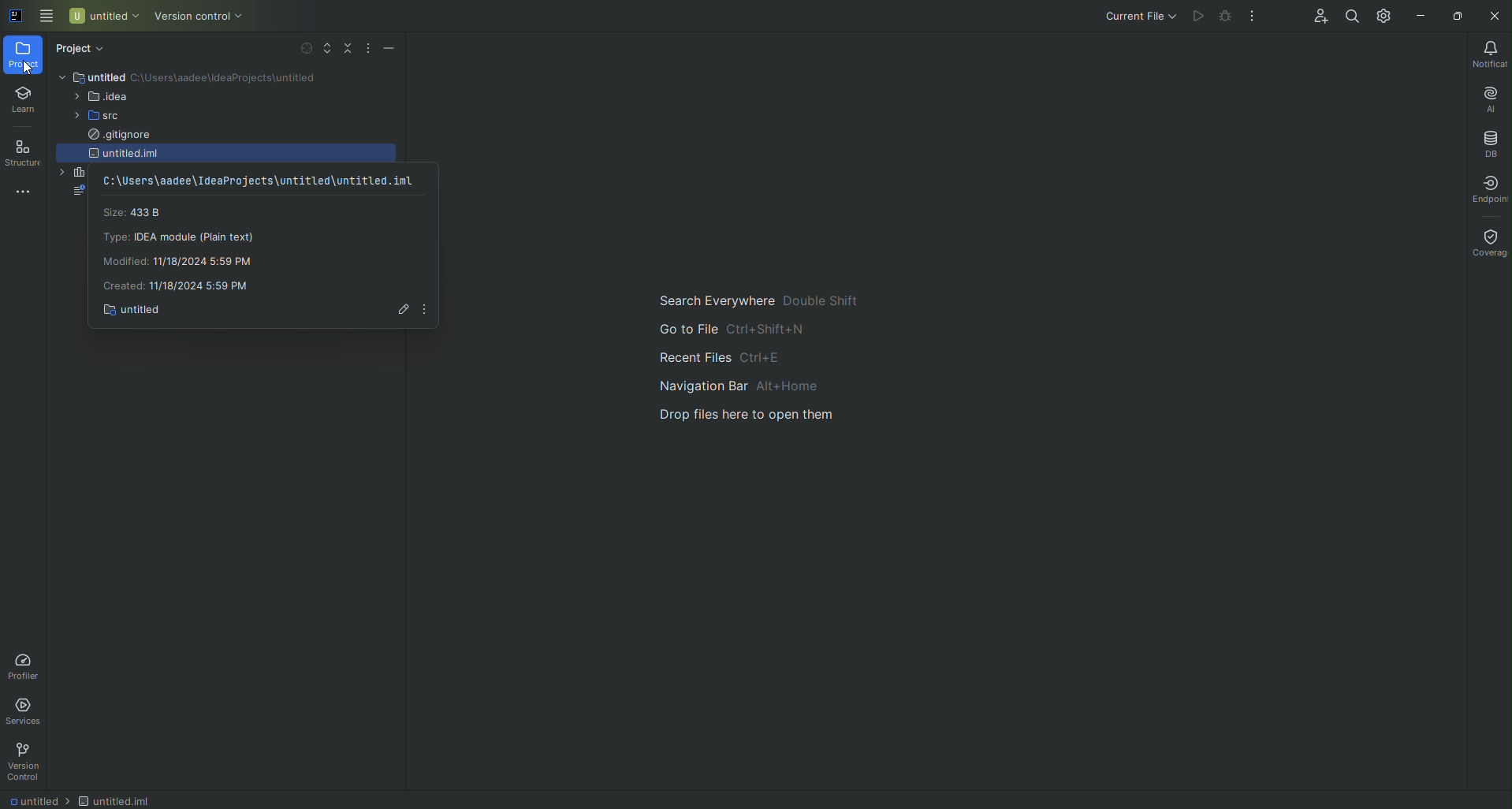 This screenshot has height=809, width=1512. What do you see at coordinates (102, 19) in the screenshot?
I see `Untitled` at bounding box center [102, 19].